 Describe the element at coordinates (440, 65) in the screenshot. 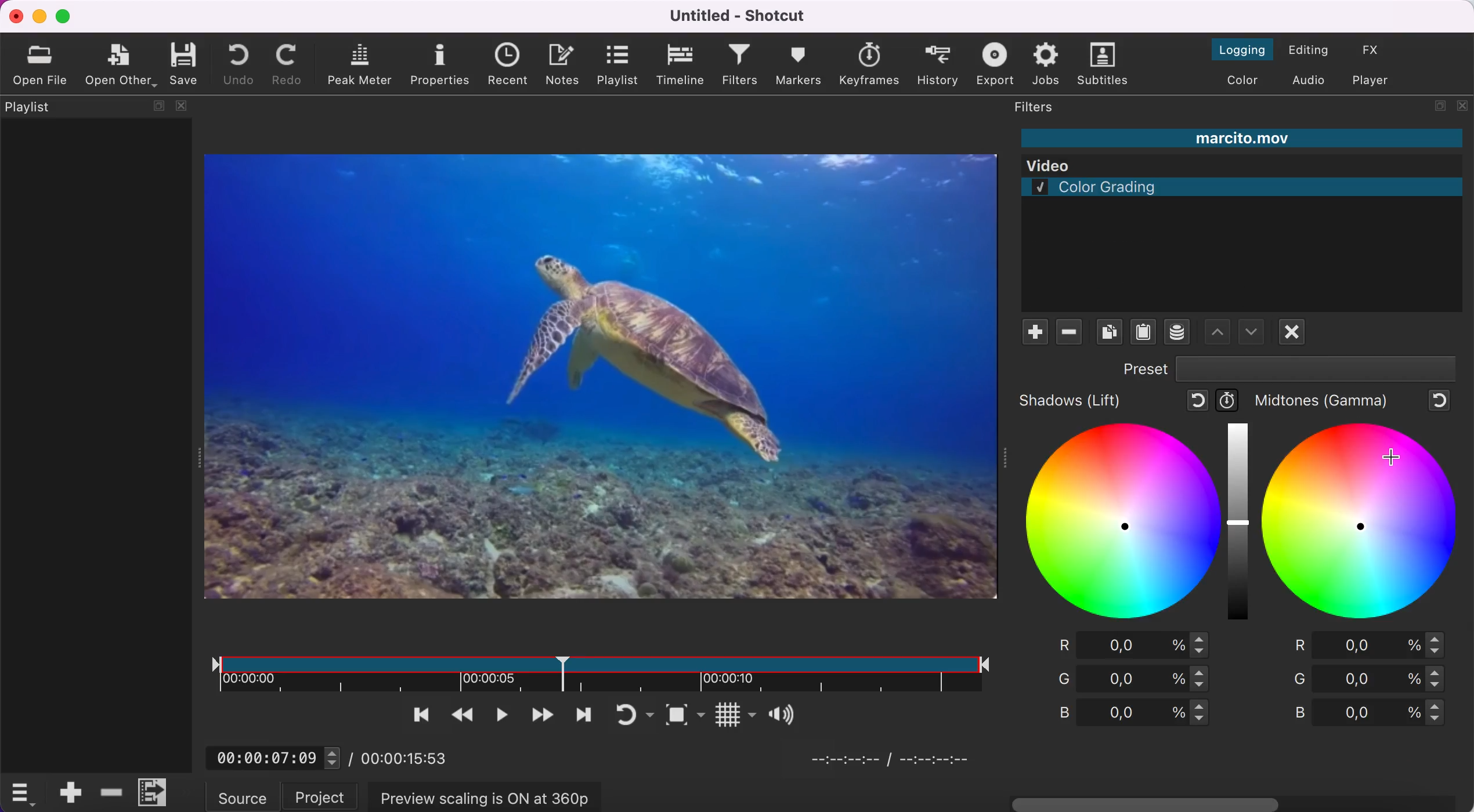

I see `properties` at that location.